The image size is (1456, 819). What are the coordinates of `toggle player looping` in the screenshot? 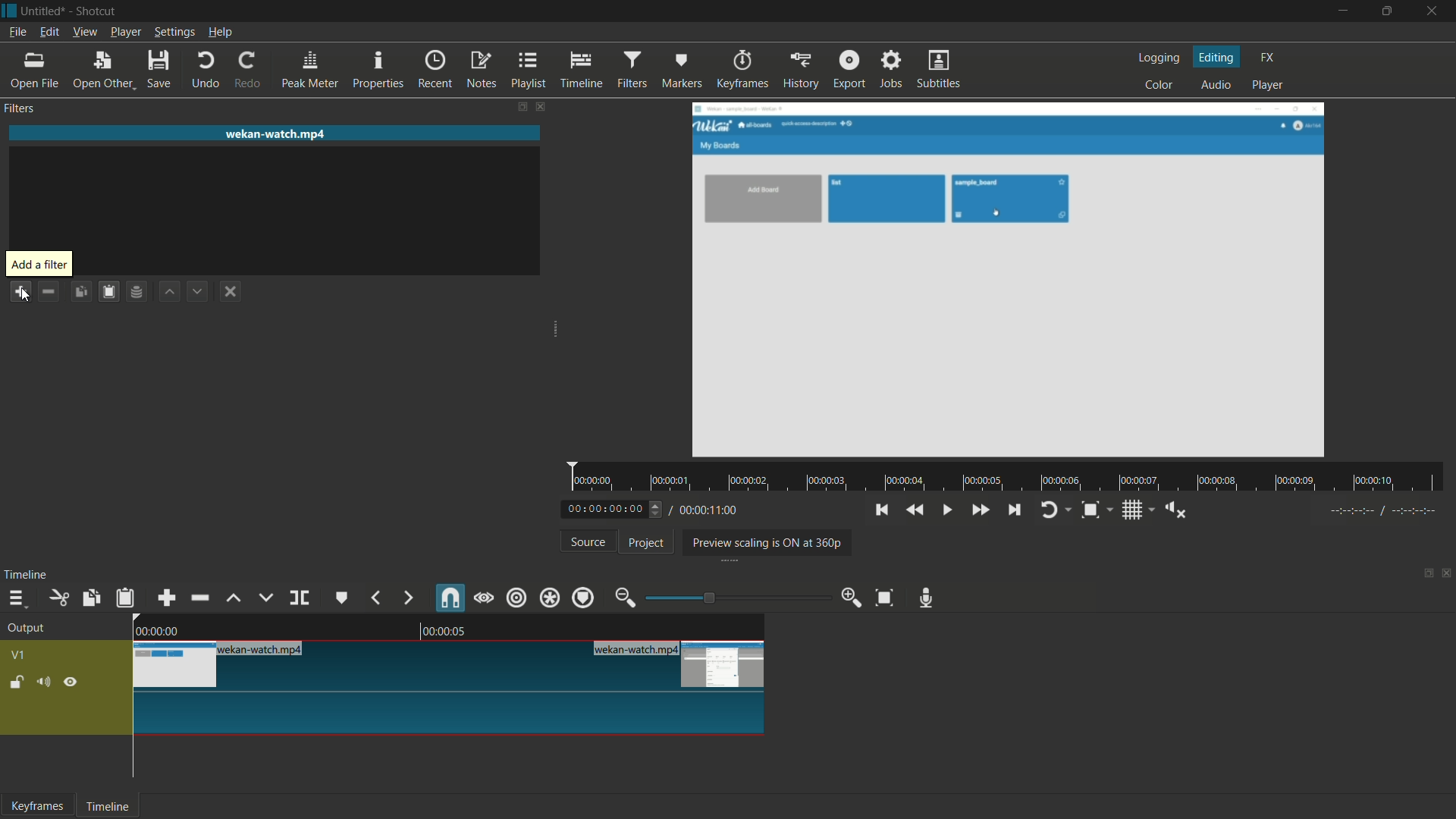 It's located at (1054, 510).